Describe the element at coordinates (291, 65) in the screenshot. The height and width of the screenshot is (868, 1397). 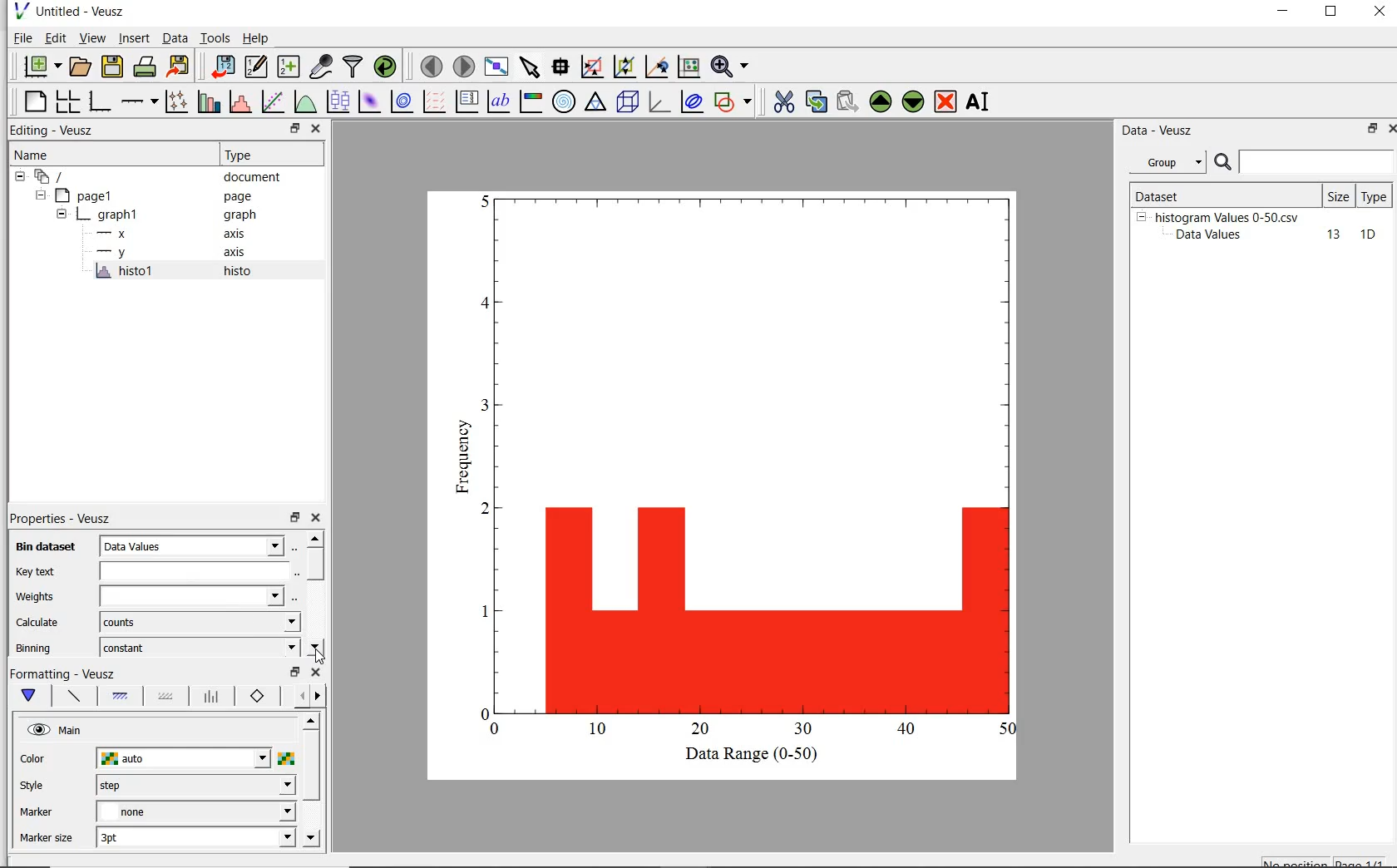
I see `create new datasets using ranges, parametrically or as functions of existing datasets` at that location.